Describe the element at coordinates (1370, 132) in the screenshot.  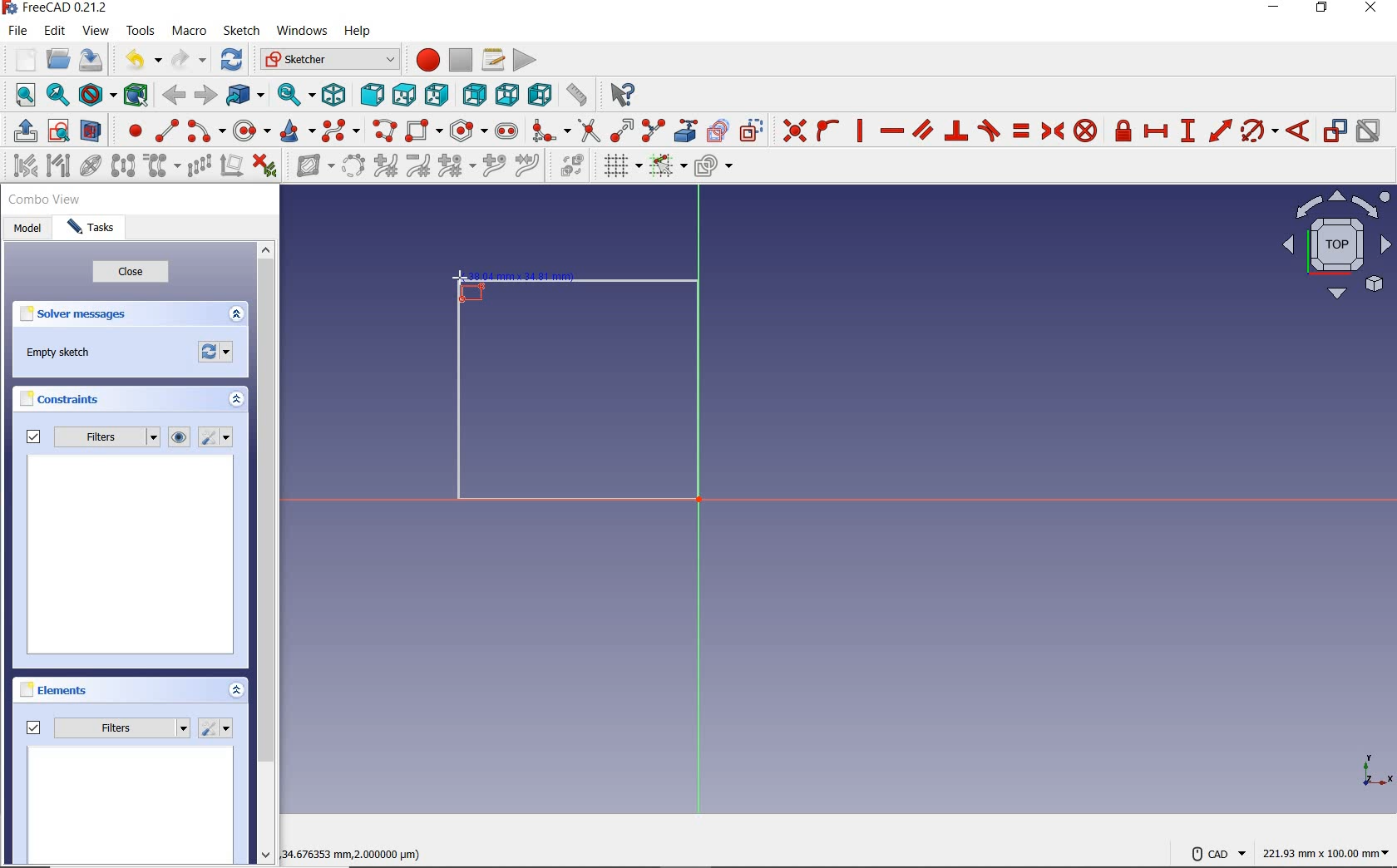
I see `activate/deactivate constraint` at that location.